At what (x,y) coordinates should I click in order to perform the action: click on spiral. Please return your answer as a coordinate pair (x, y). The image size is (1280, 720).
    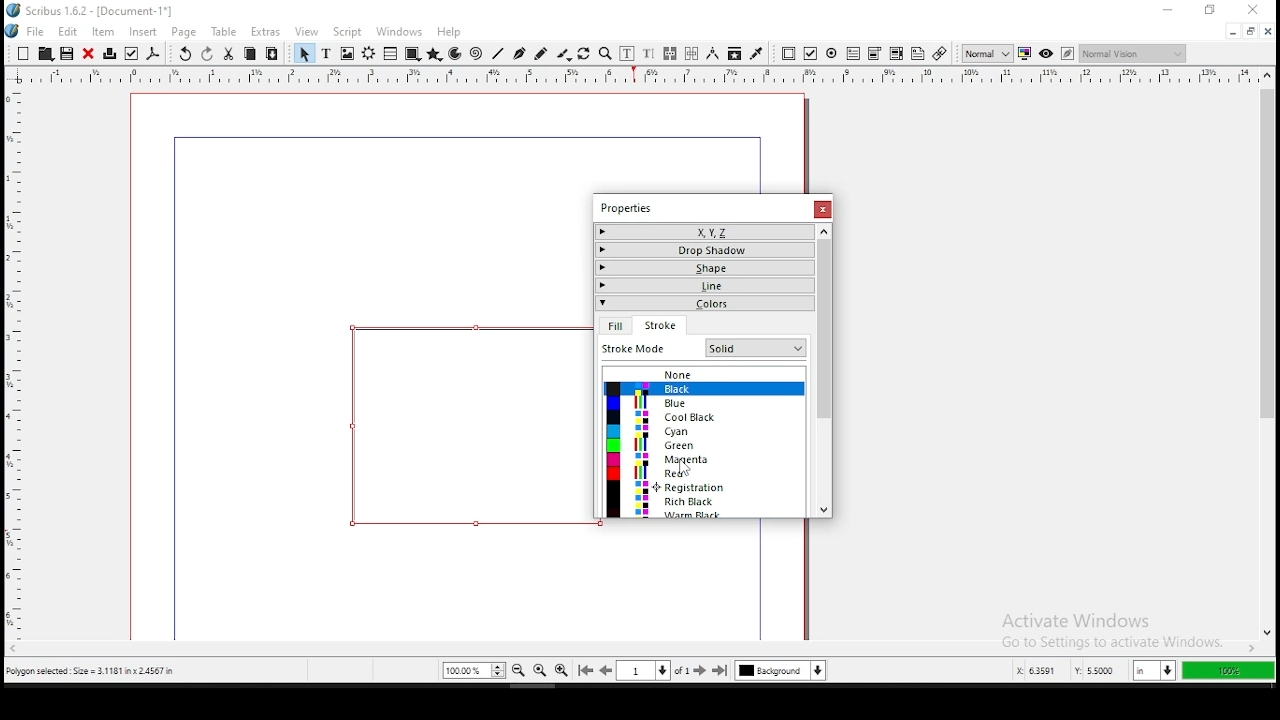
    Looking at the image, I should click on (476, 54).